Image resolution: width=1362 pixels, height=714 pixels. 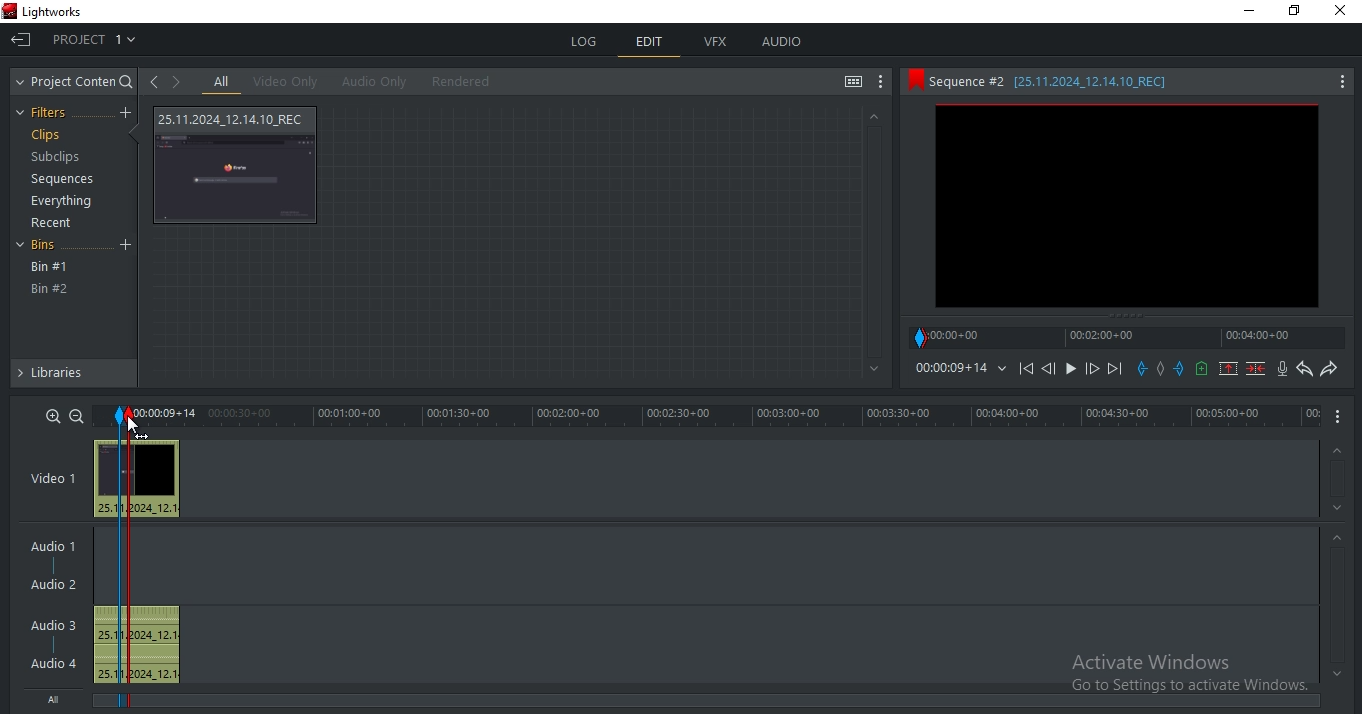 I want to click on Exit, so click(x=21, y=38).